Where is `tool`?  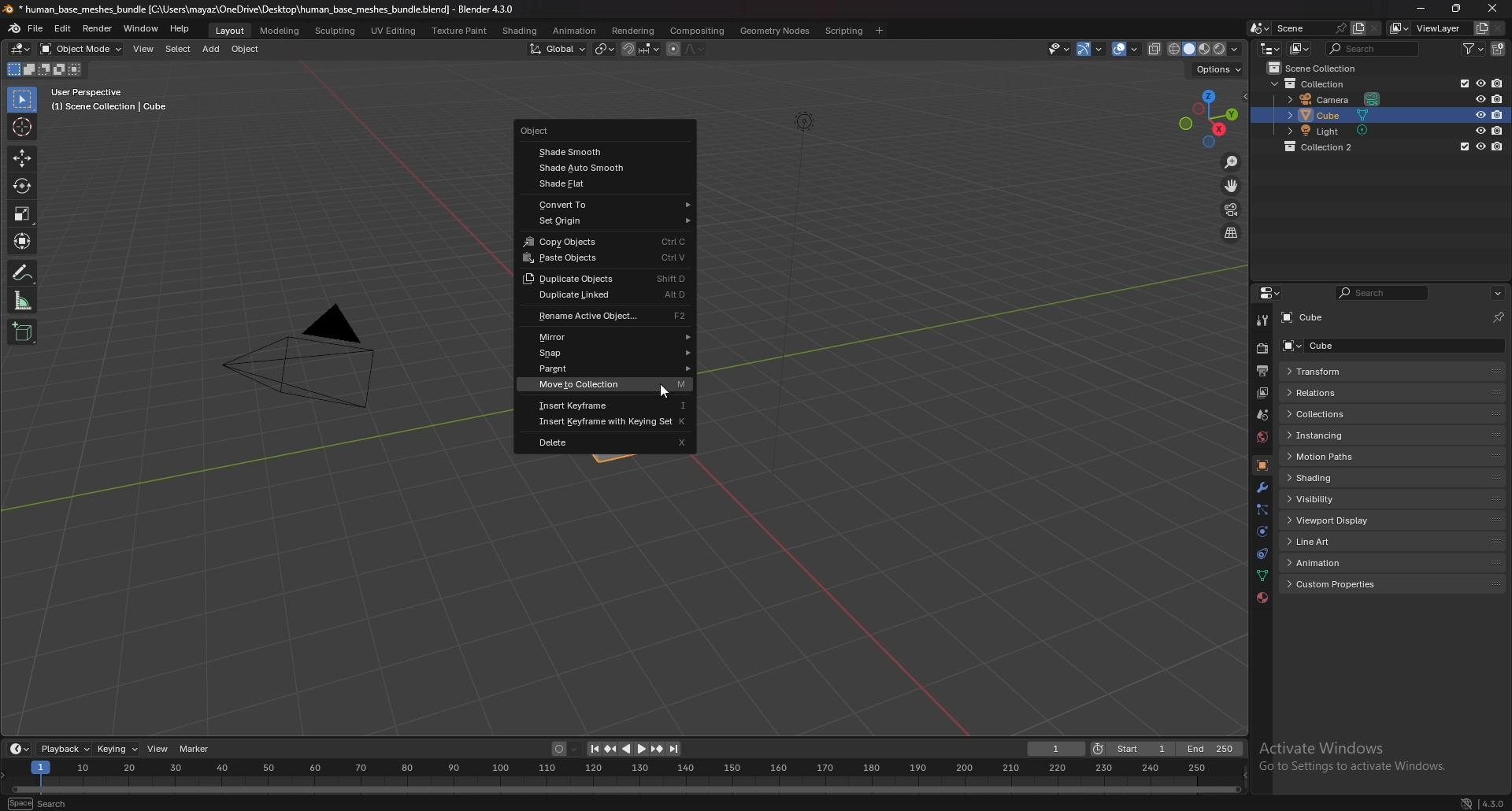 tool is located at coordinates (1263, 320).